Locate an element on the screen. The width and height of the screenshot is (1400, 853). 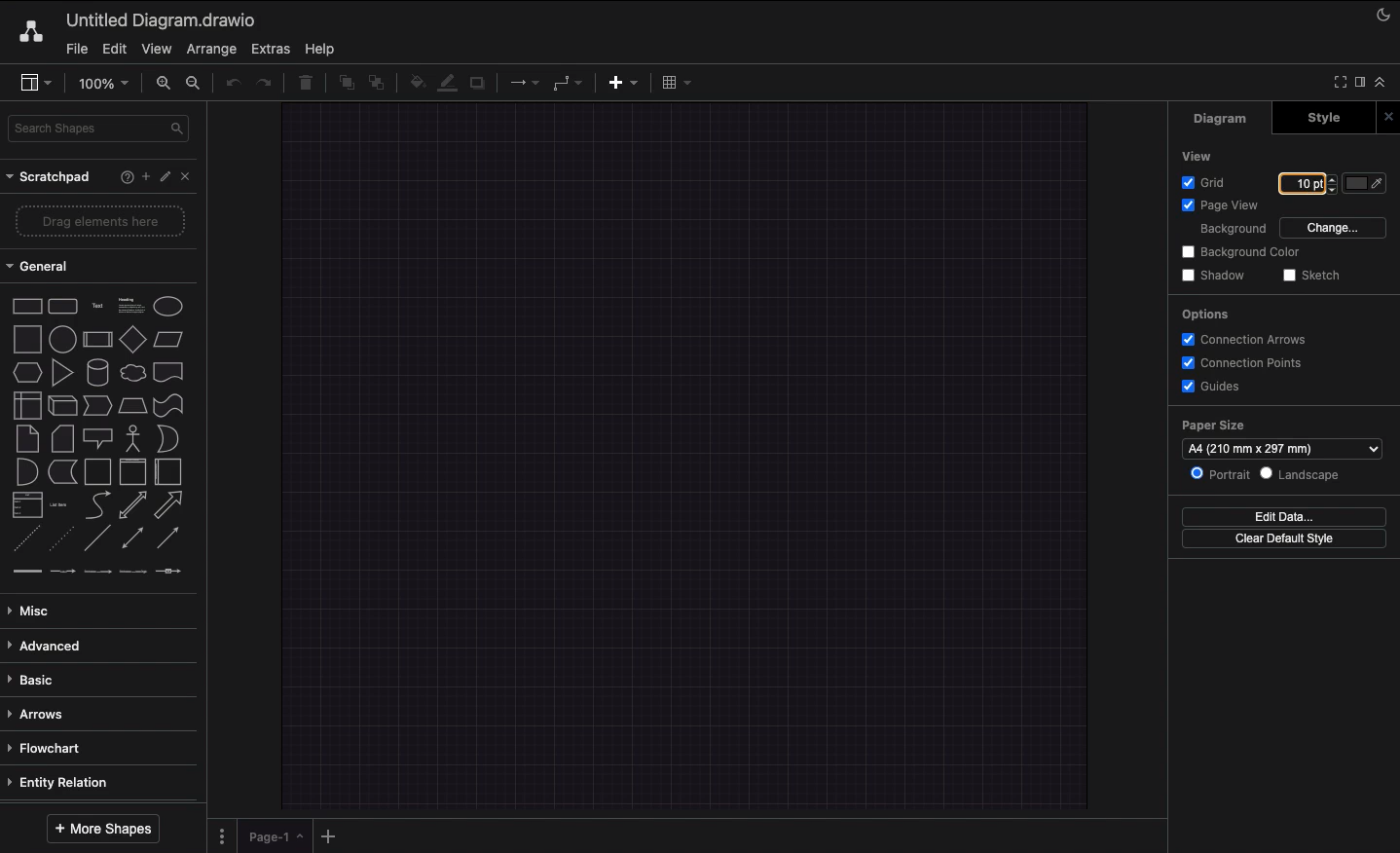
View is located at coordinates (1195, 156).